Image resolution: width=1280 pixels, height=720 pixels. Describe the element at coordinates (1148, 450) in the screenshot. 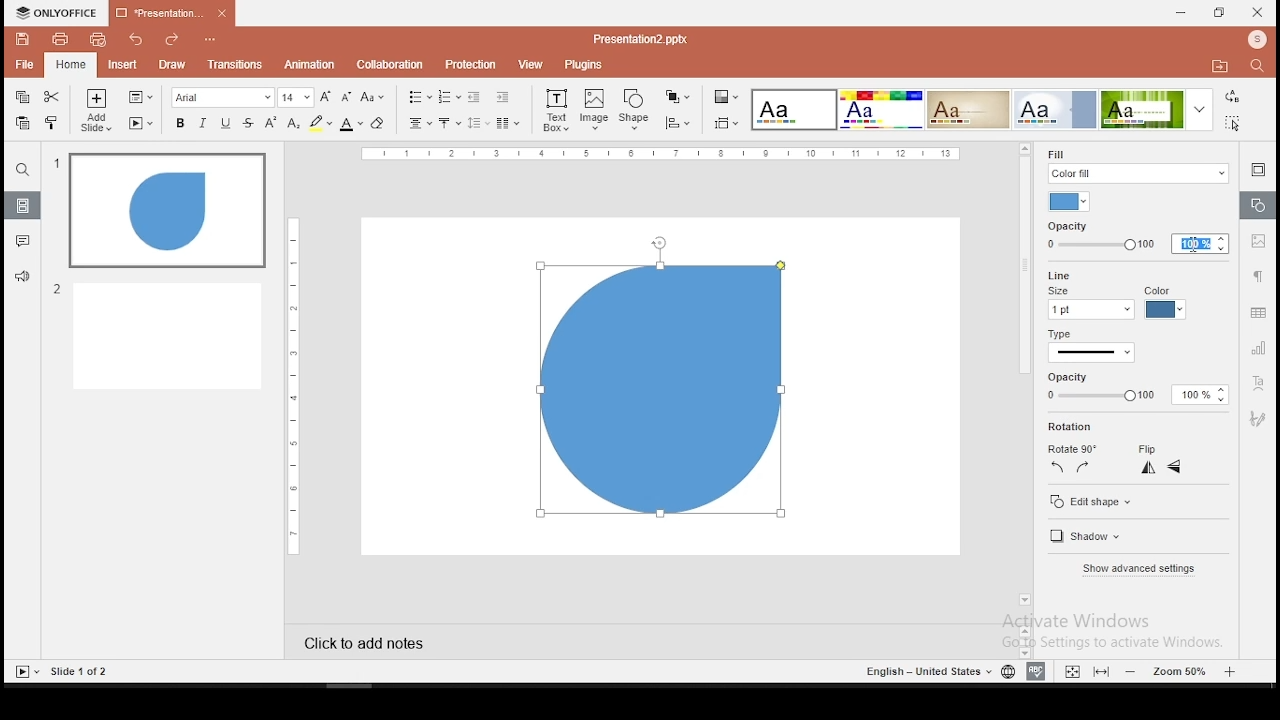

I see `flip` at that location.